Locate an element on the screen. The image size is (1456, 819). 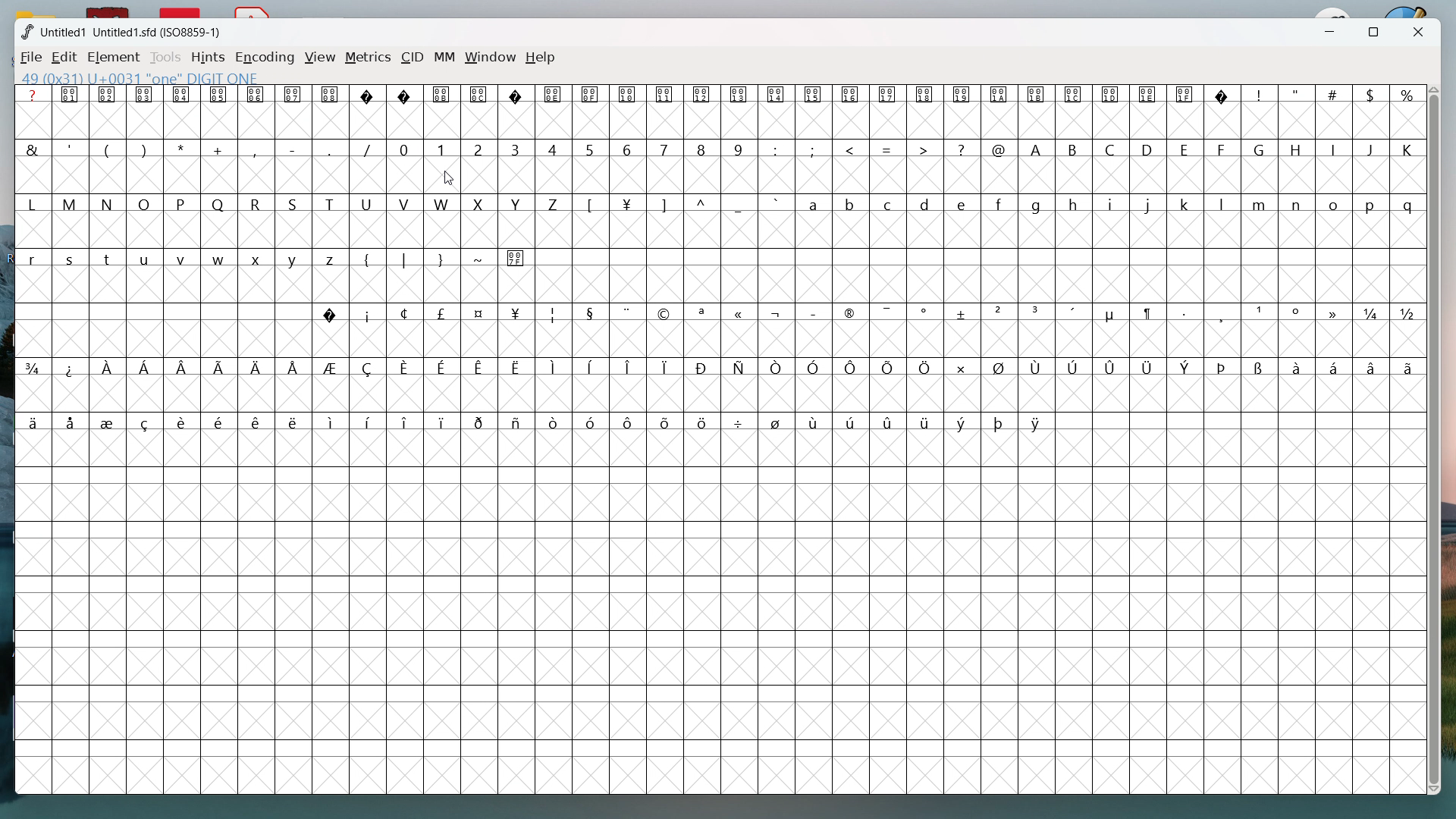
+ is located at coordinates (220, 149).